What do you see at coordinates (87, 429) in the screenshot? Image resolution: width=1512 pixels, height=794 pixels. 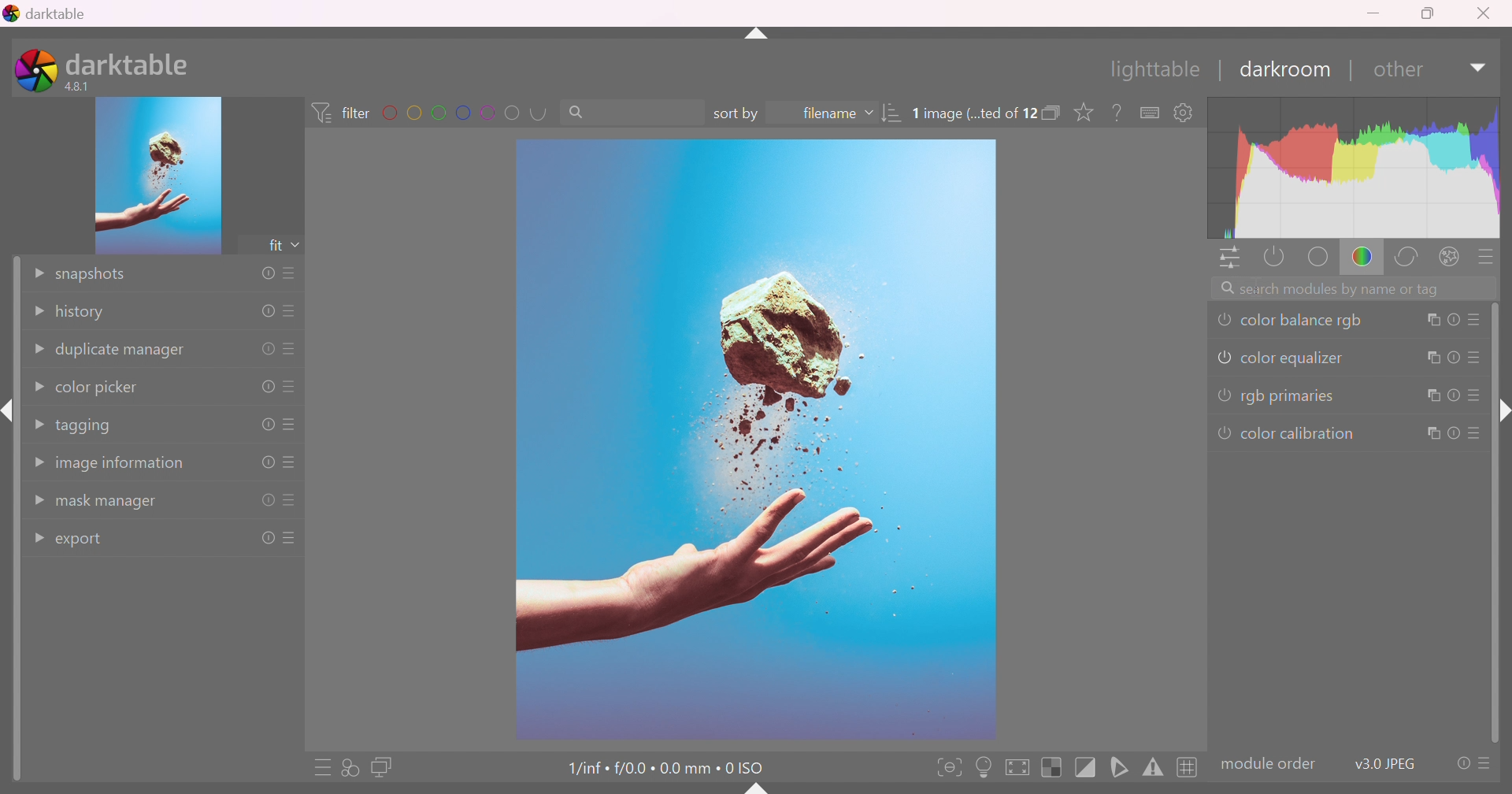 I see `tagging` at bounding box center [87, 429].